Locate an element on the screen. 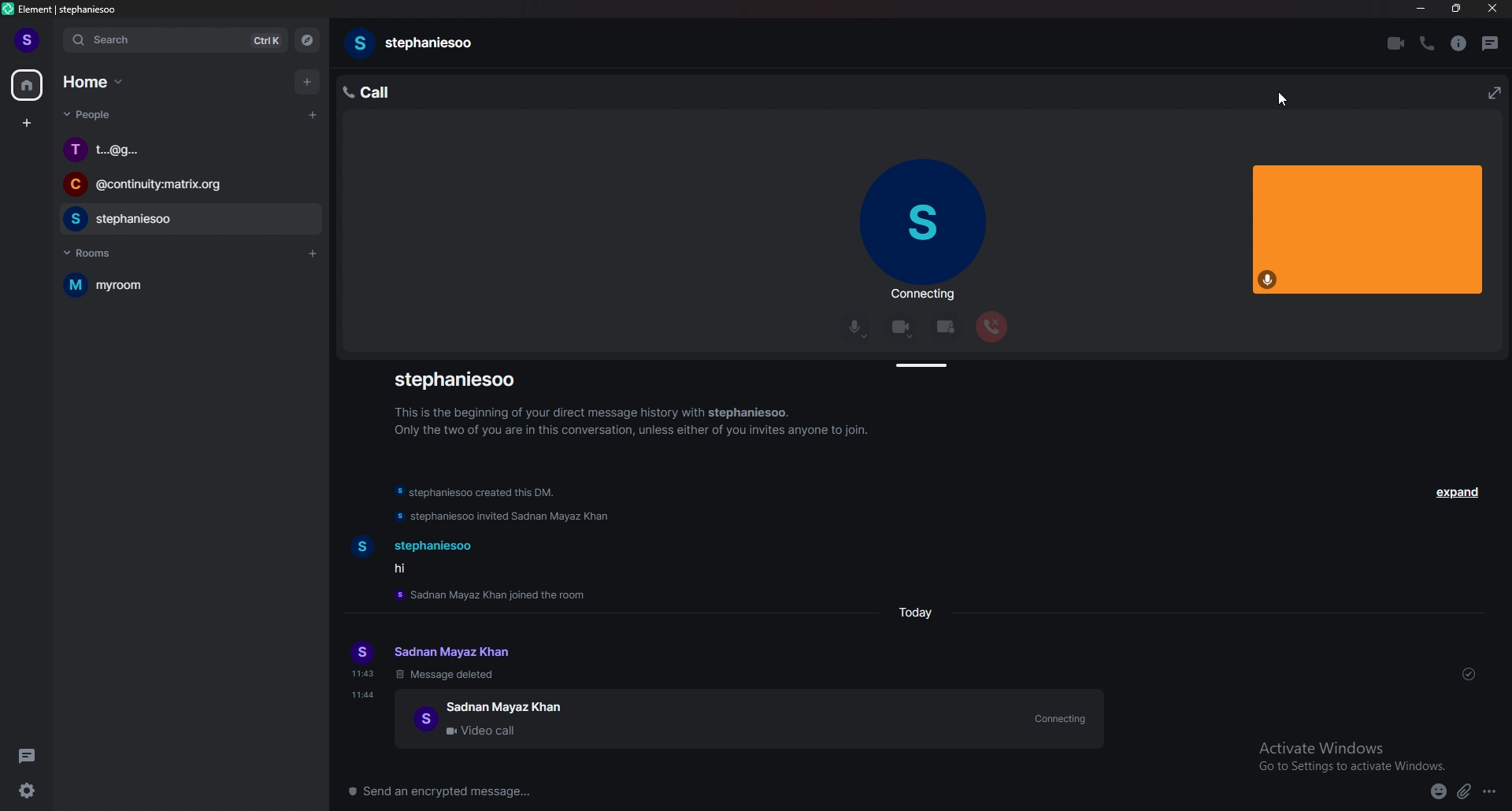 The height and width of the screenshot is (811, 1512). expand is located at coordinates (1492, 91).